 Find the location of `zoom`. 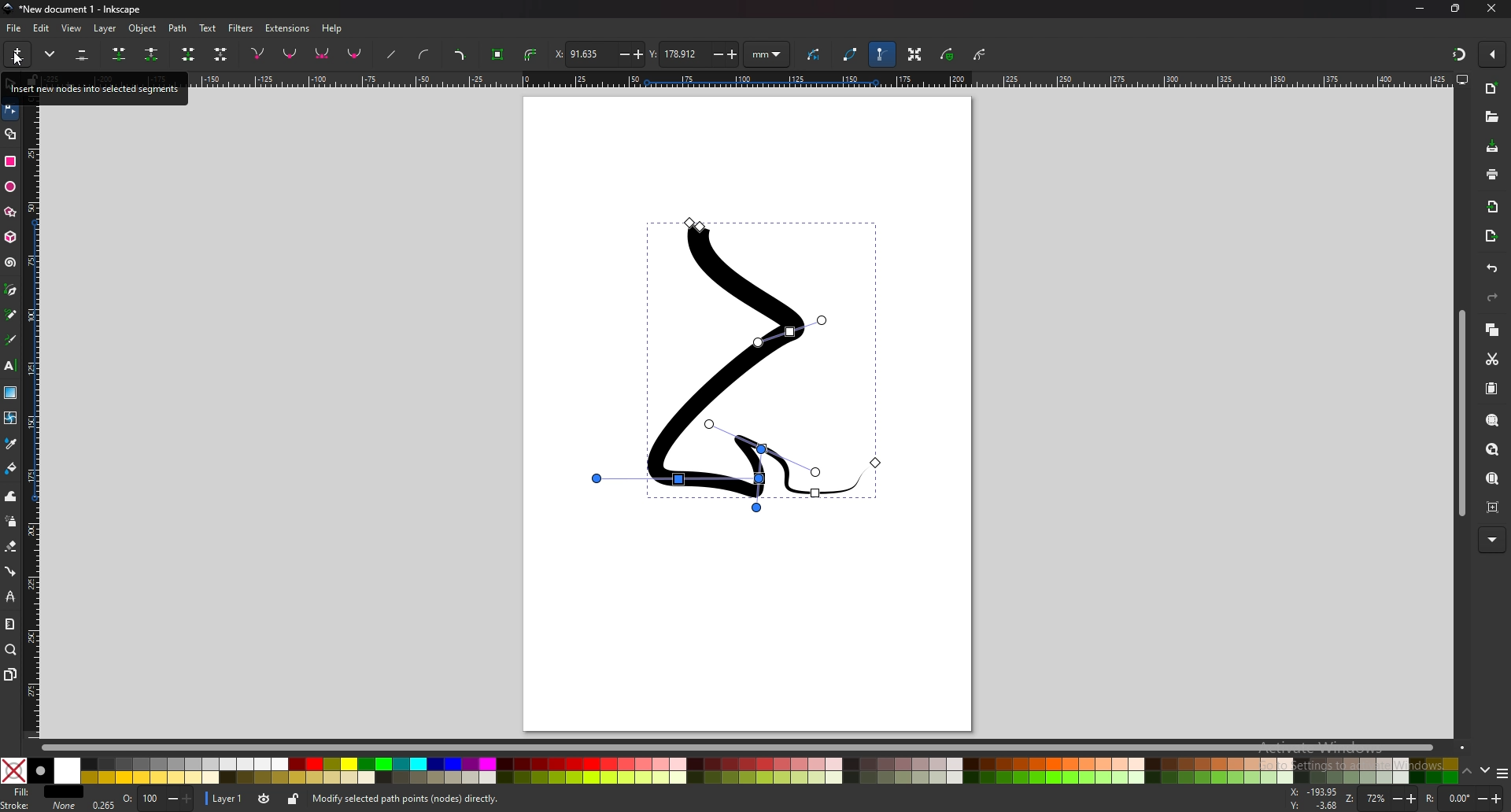

zoom is located at coordinates (1381, 799).